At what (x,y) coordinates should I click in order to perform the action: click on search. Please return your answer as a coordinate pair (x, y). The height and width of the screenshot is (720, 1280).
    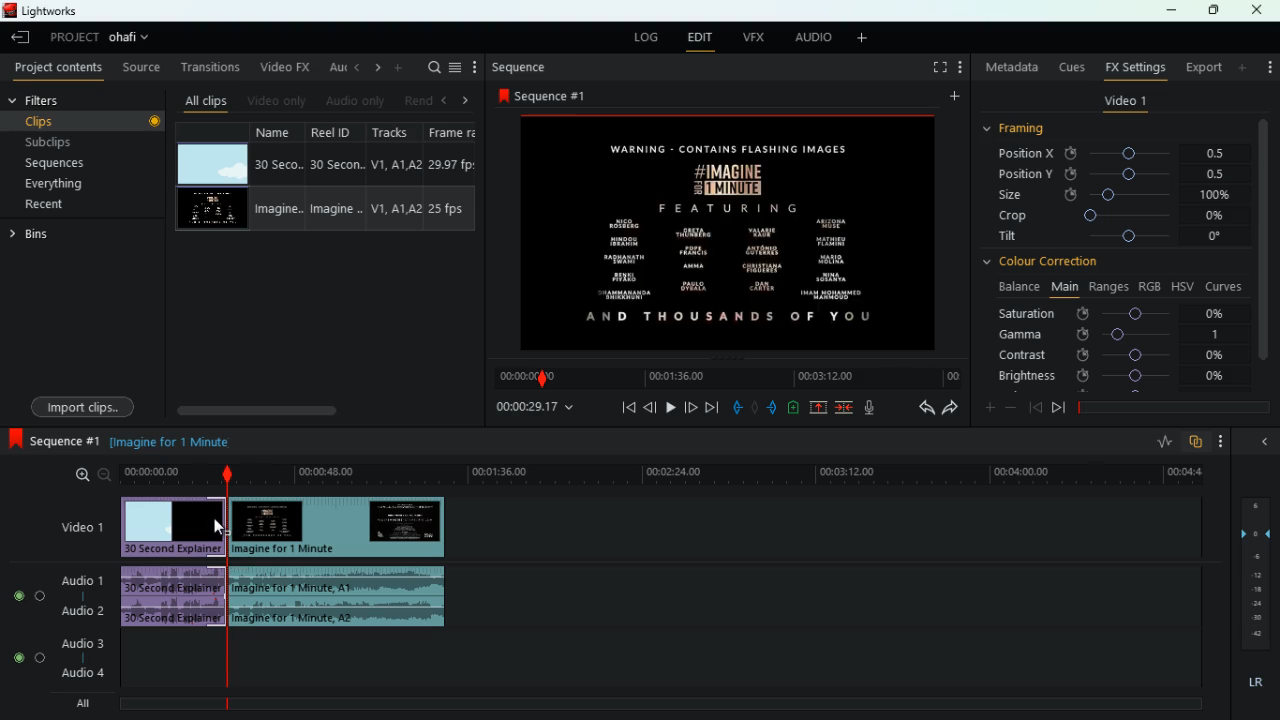
    Looking at the image, I should click on (432, 67).